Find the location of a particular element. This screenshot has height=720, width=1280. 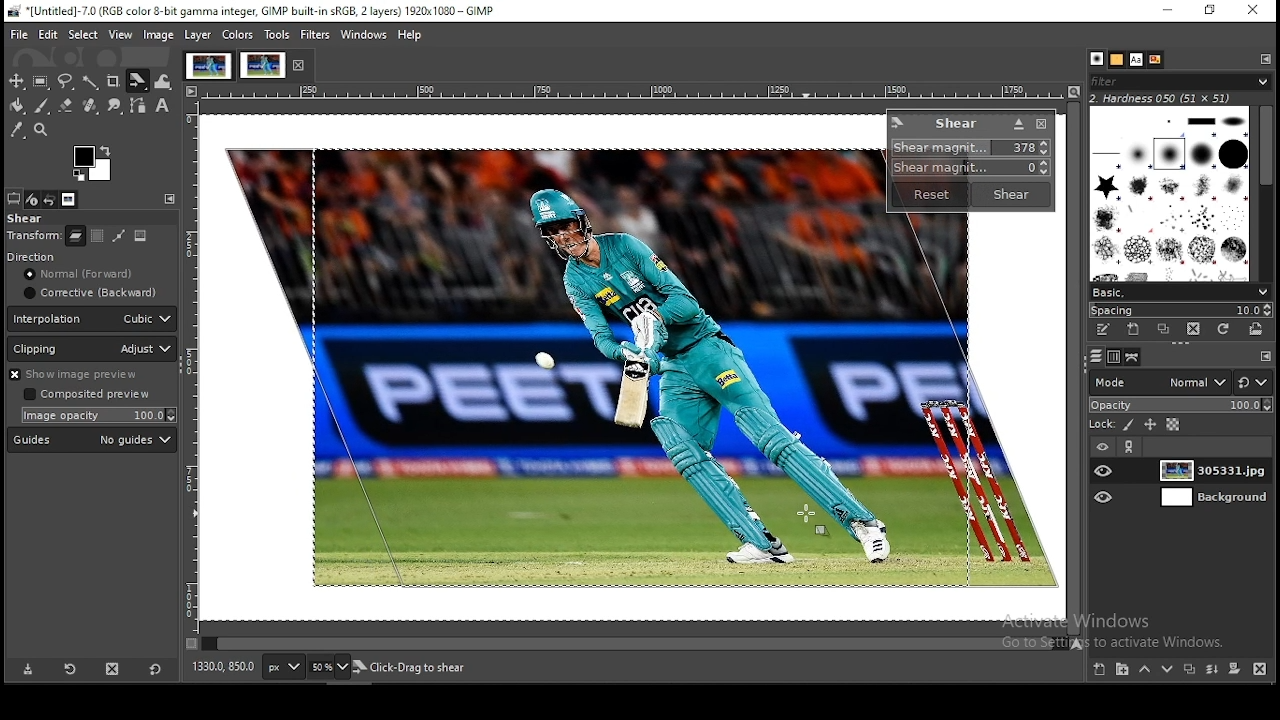

create a new brush is located at coordinates (1132, 329).